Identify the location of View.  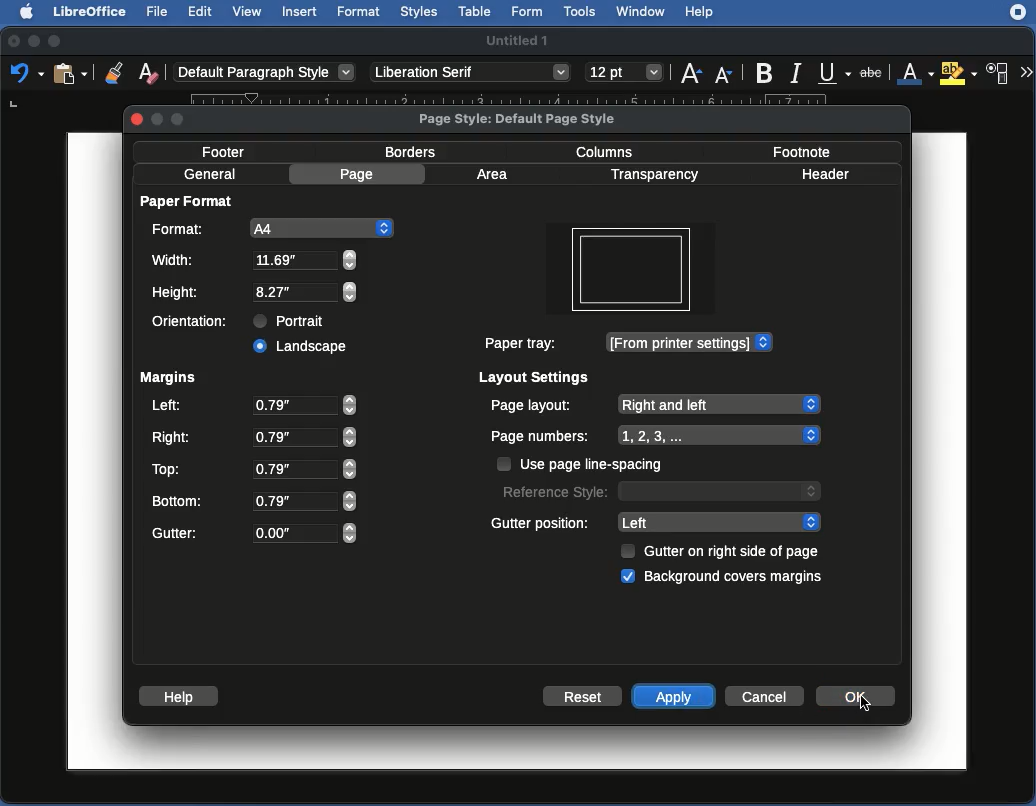
(248, 12).